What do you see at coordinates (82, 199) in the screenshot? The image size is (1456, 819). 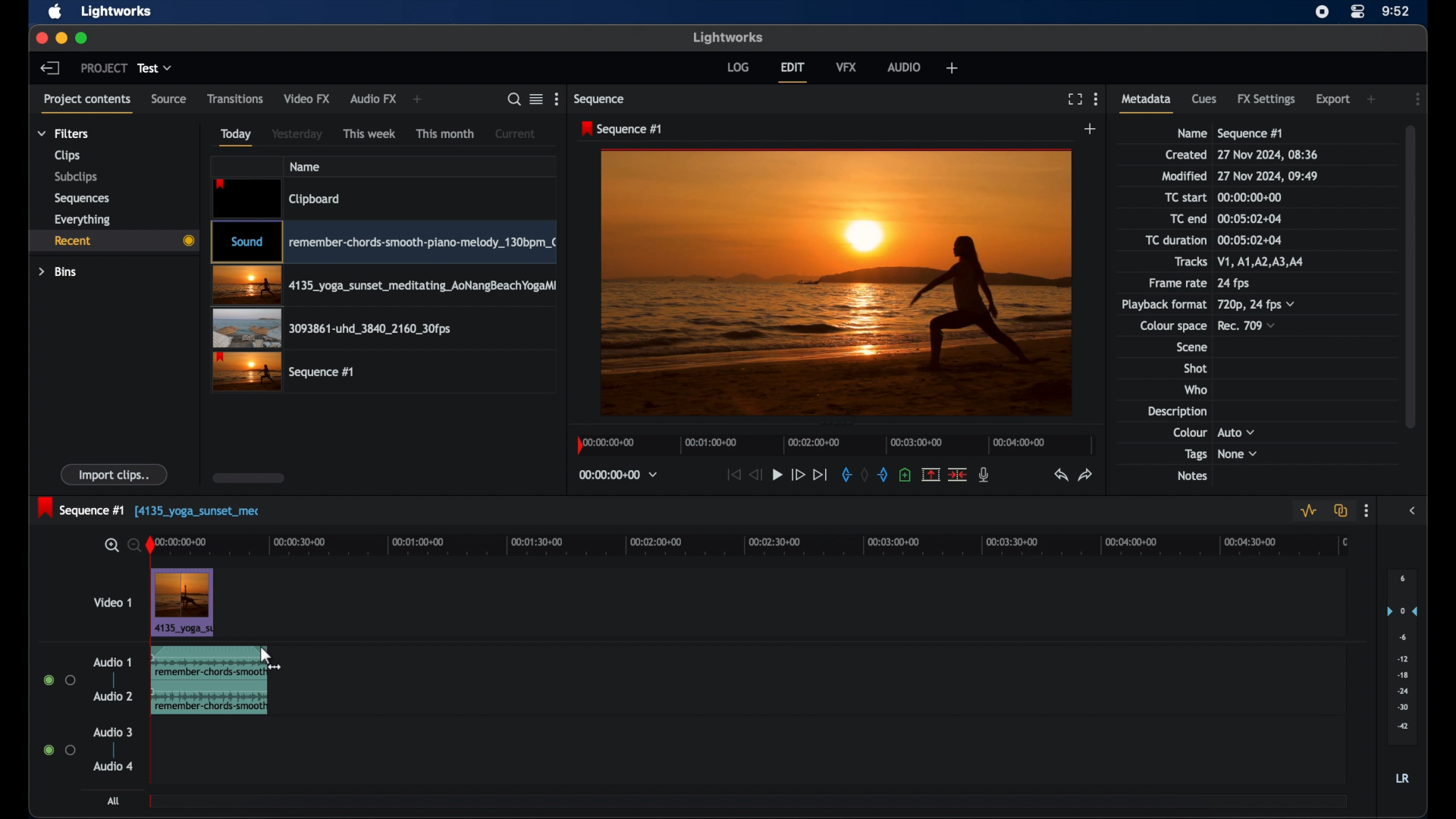 I see `sequences` at bounding box center [82, 199].